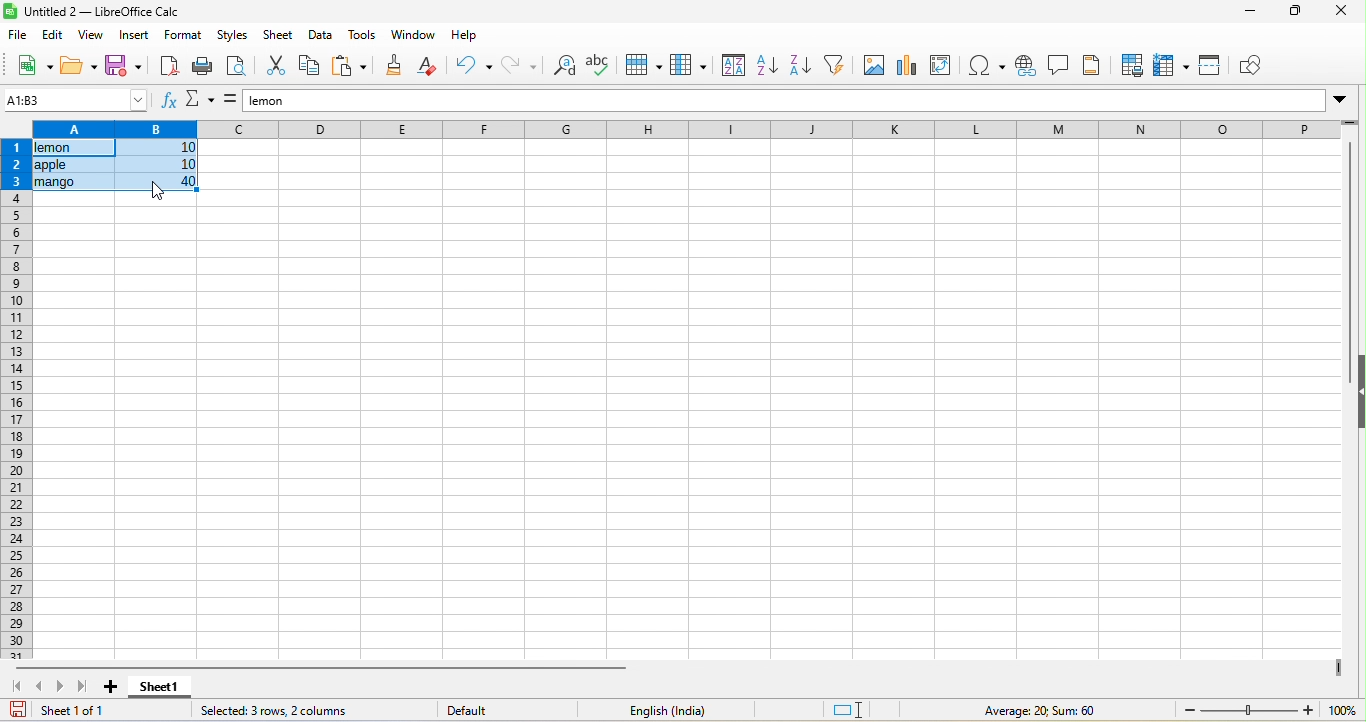  I want to click on comment, so click(1058, 67).